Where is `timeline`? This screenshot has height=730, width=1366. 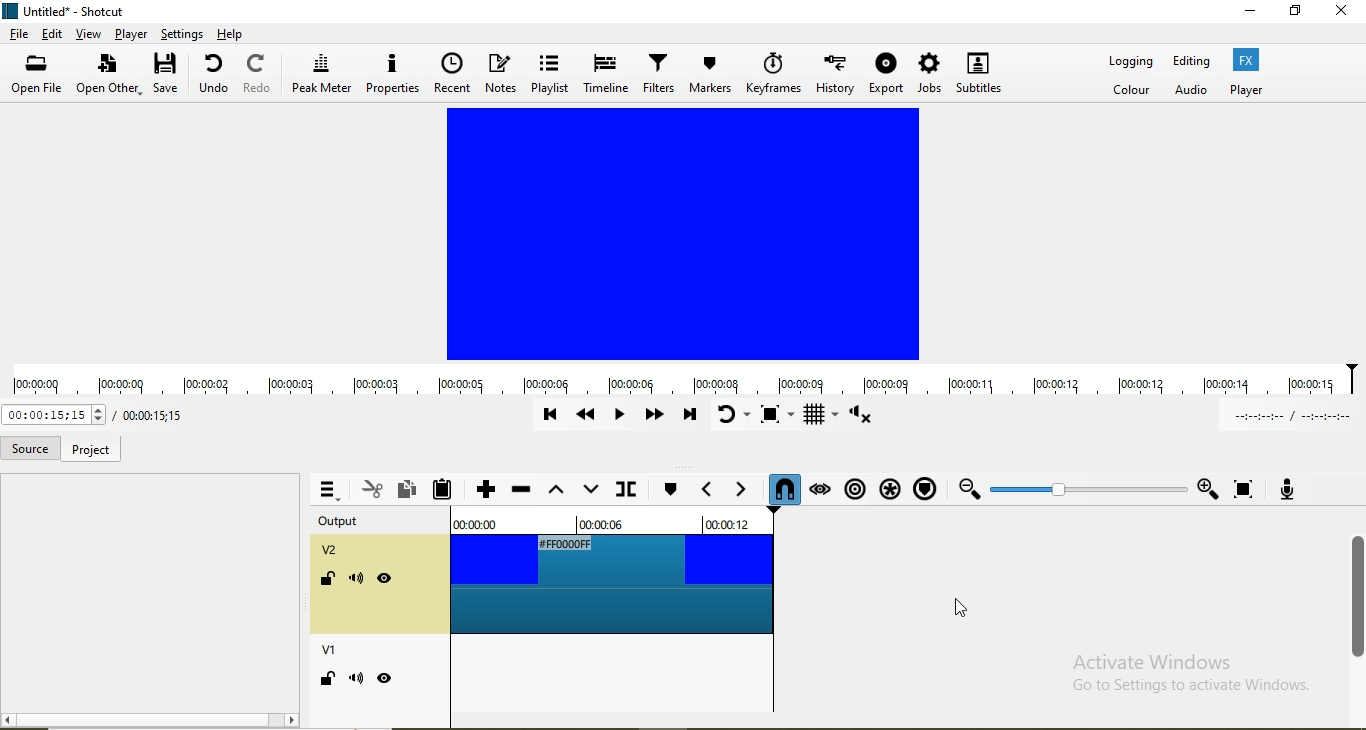
timeline is located at coordinates (604, 75).